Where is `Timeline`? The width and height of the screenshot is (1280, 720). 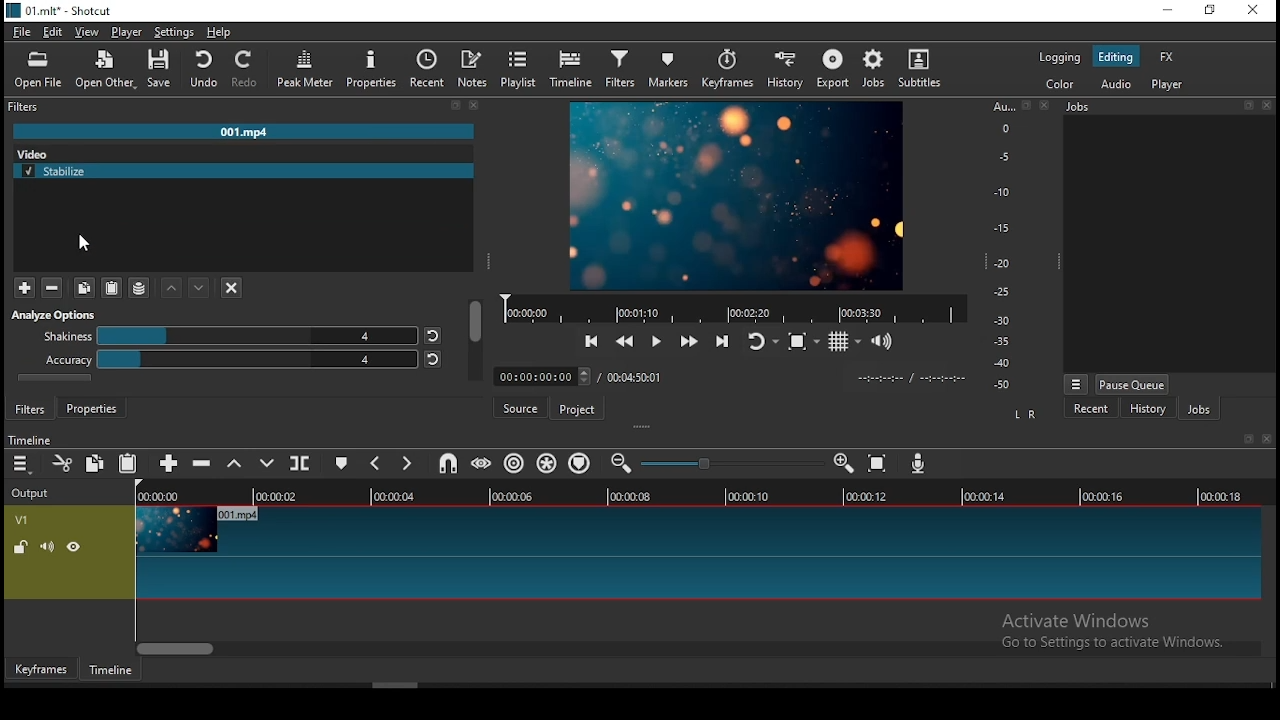
Timeline is located at coordinates (33, 440).